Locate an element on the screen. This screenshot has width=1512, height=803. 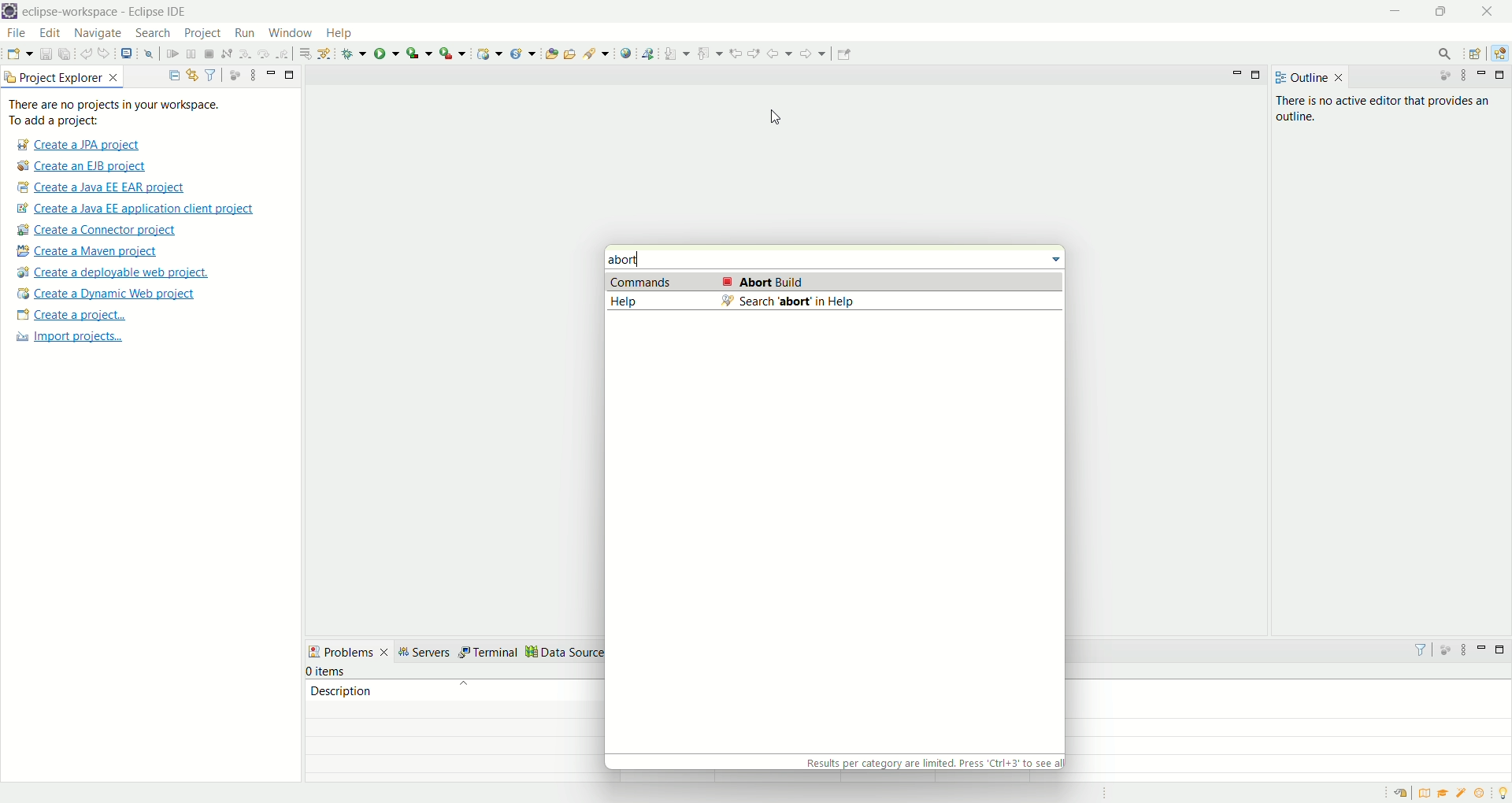
search is located at coordinates (1448, 54).